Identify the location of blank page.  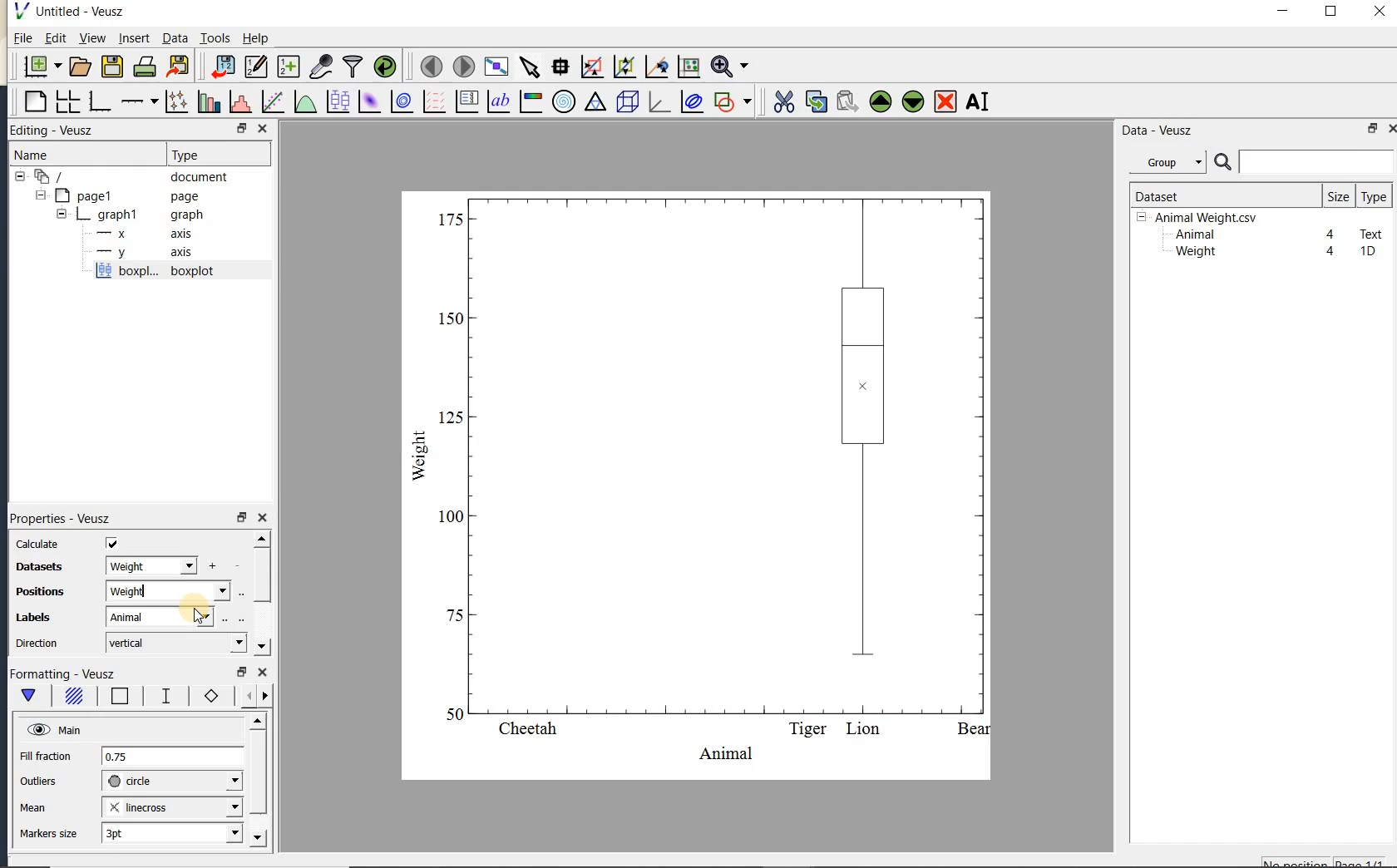
(33, 102).